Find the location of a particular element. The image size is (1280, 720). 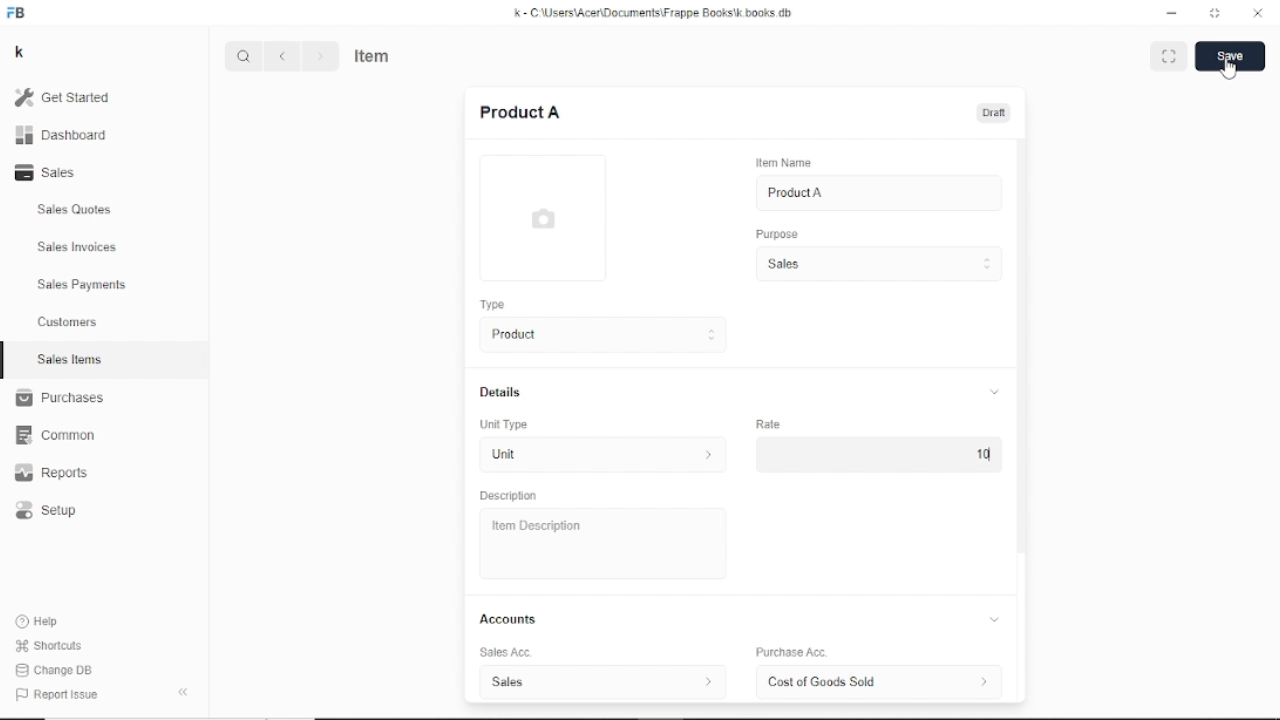

10 is located at coordinates (983, 454).